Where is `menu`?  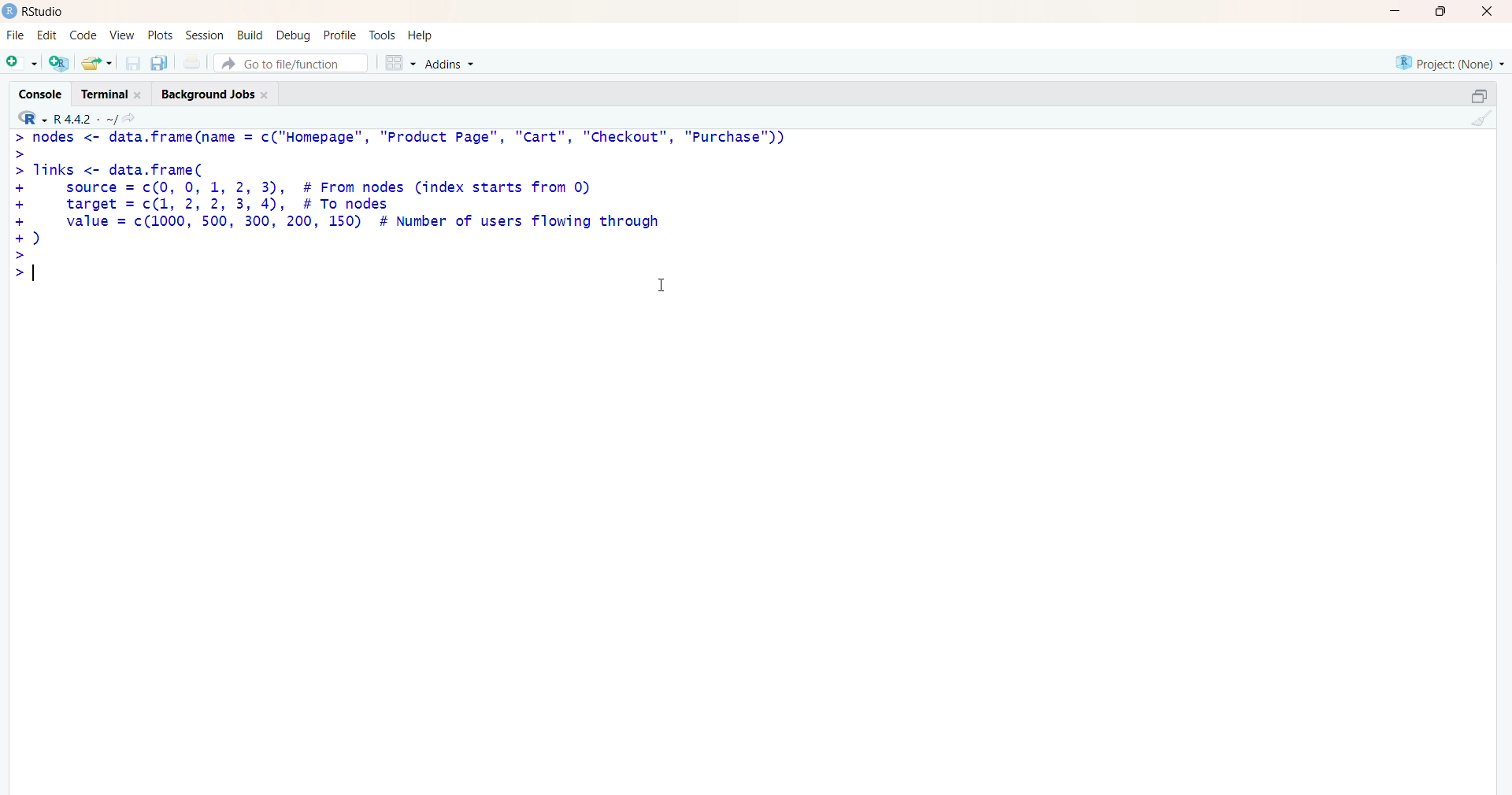
menu is located at coordinates (20, 64).